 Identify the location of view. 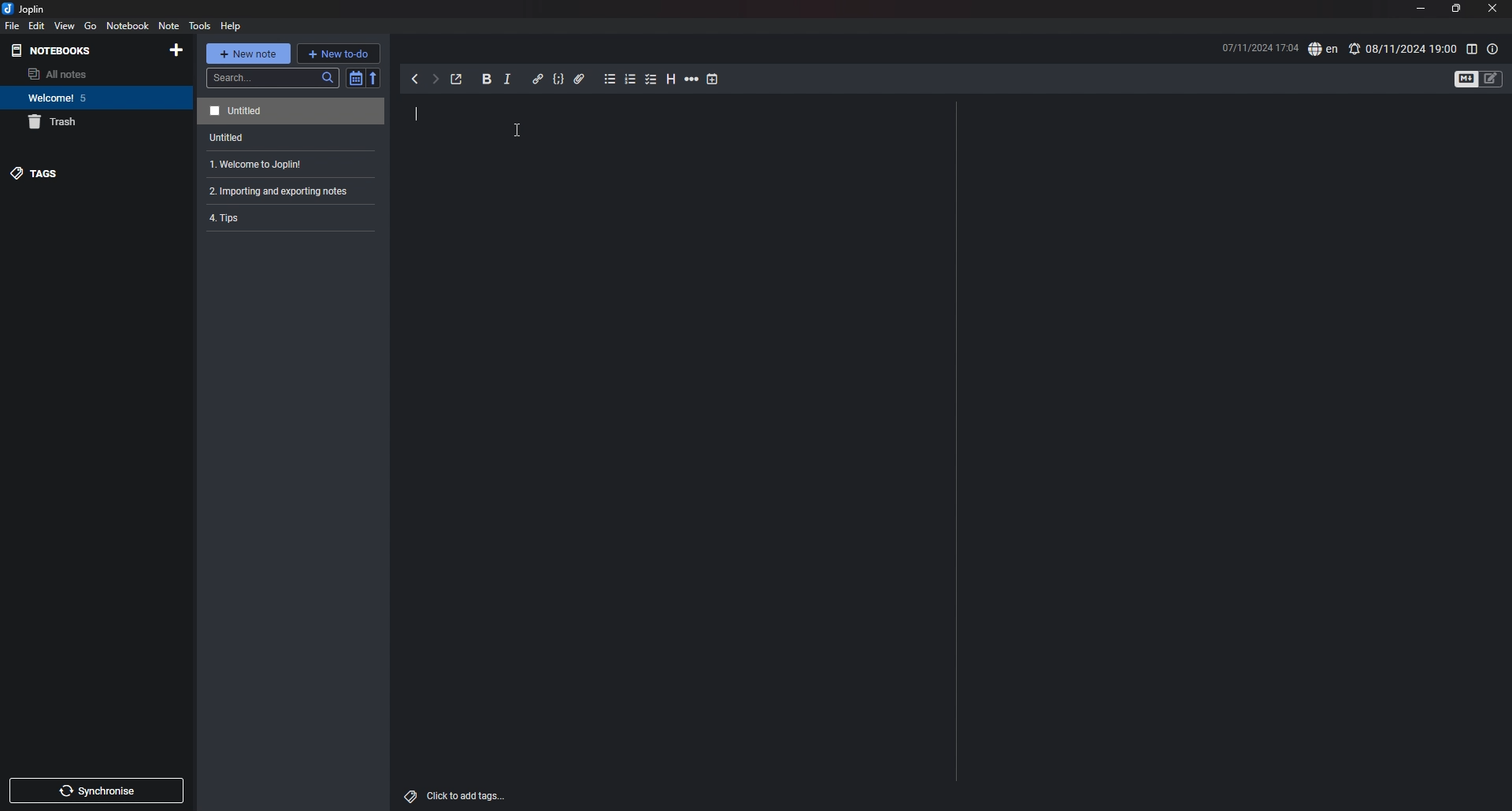
(65, 26).